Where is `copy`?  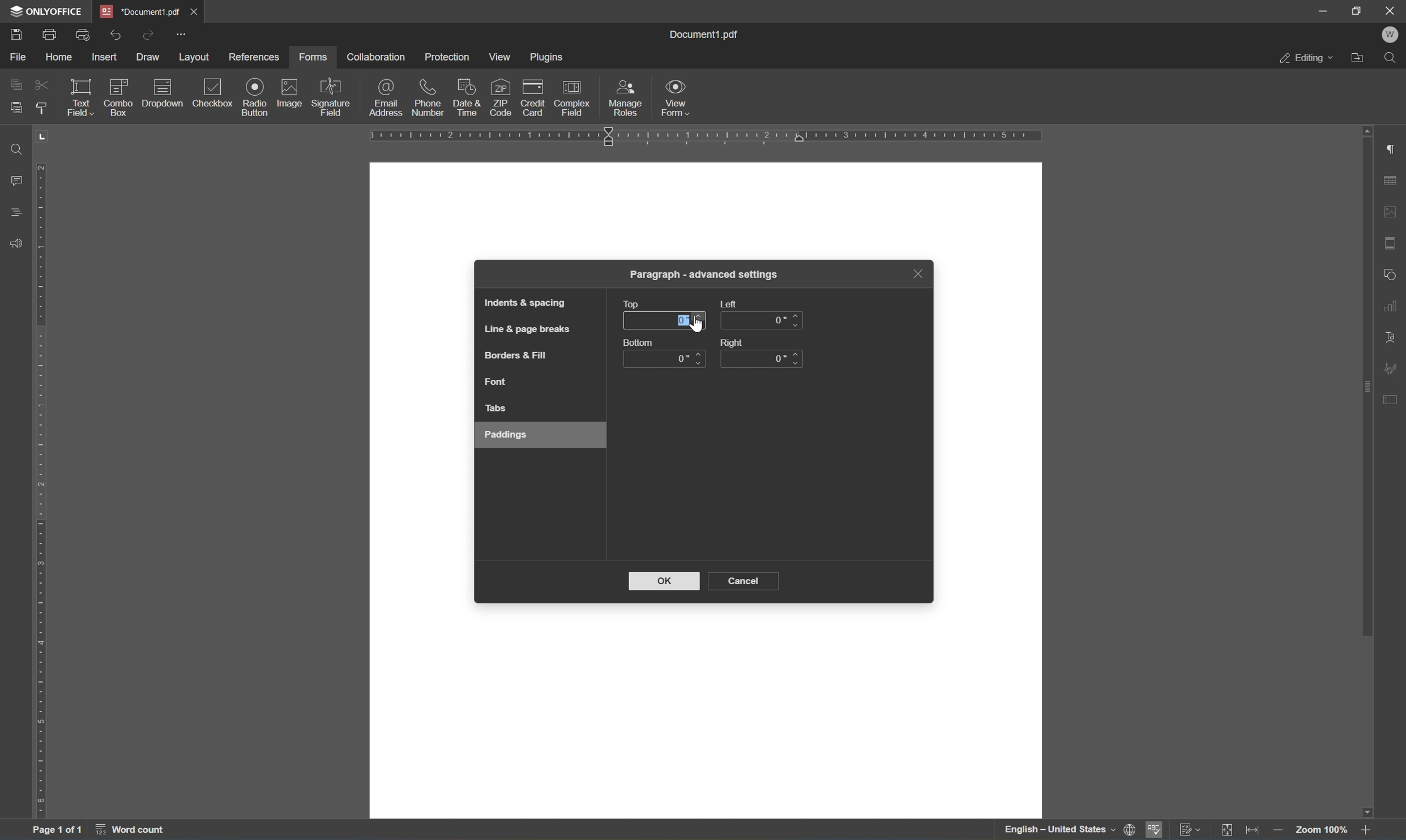
copy is located at coordinates (17, 83).